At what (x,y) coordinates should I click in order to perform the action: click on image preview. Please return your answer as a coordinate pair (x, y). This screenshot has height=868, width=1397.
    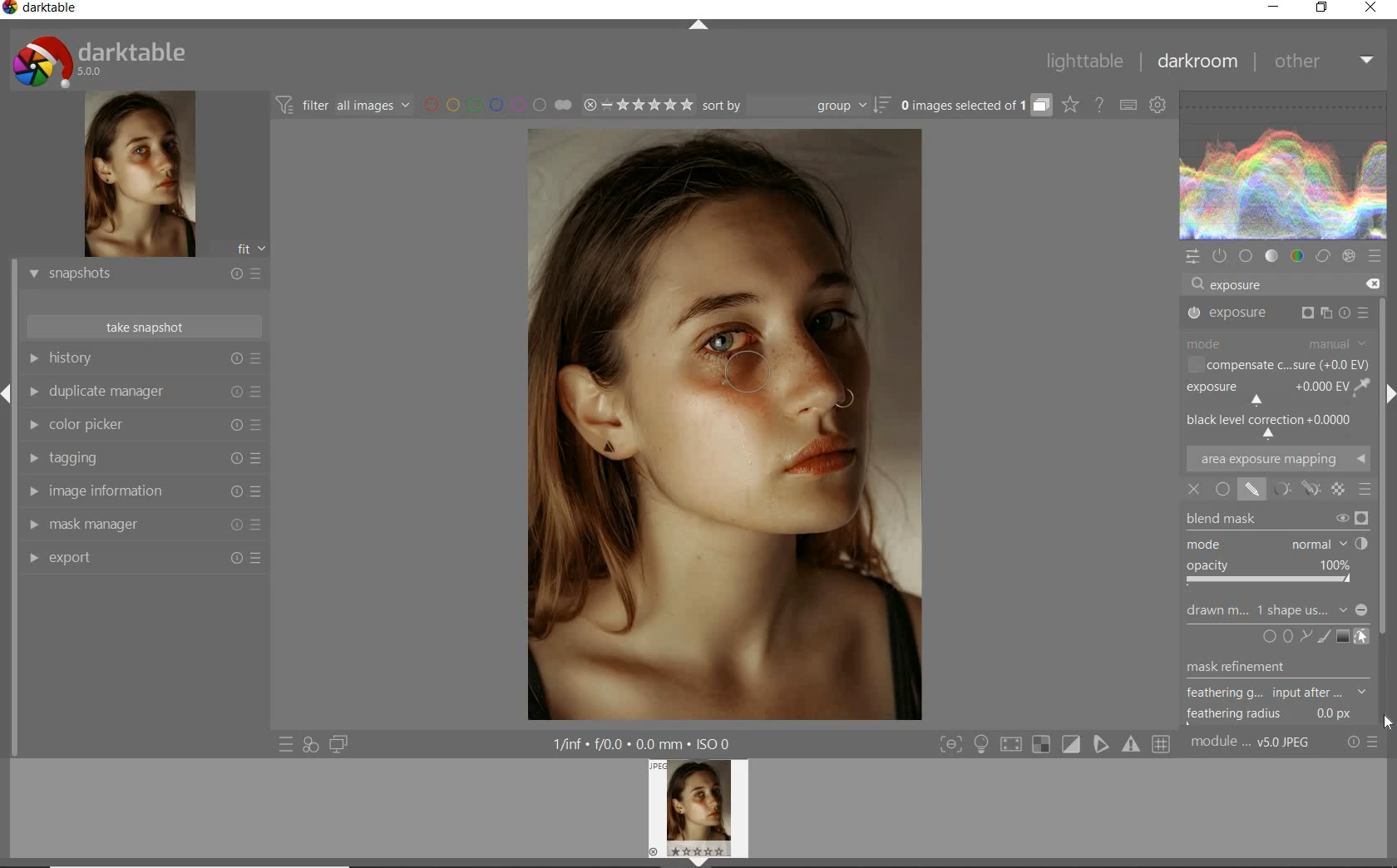
    Looking at the image, I should click on (701, 813).